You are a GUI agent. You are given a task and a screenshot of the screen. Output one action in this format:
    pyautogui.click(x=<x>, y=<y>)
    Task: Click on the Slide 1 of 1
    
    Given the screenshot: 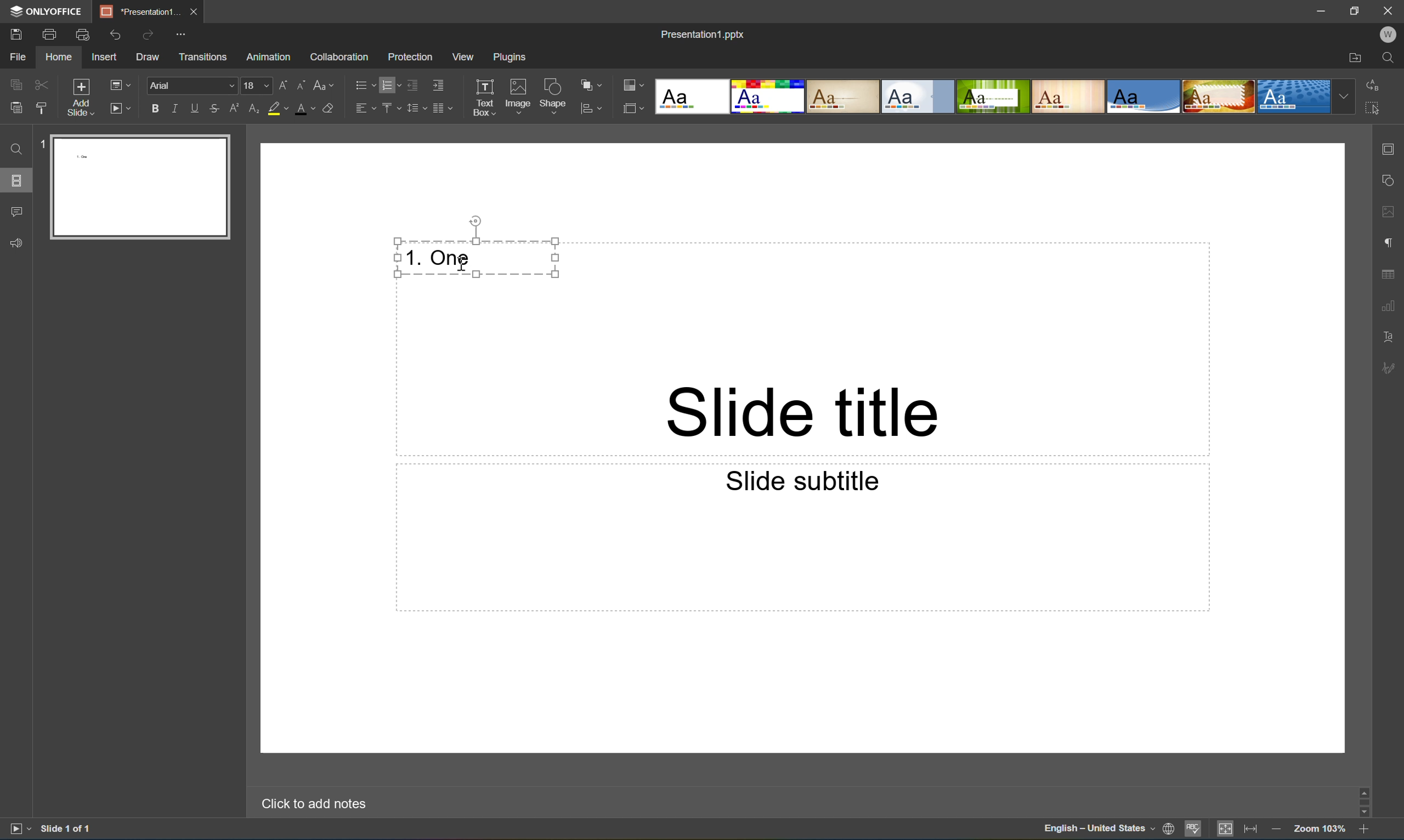 What is the action you would take?
    pyautogui.click(x=69, y=828)
    